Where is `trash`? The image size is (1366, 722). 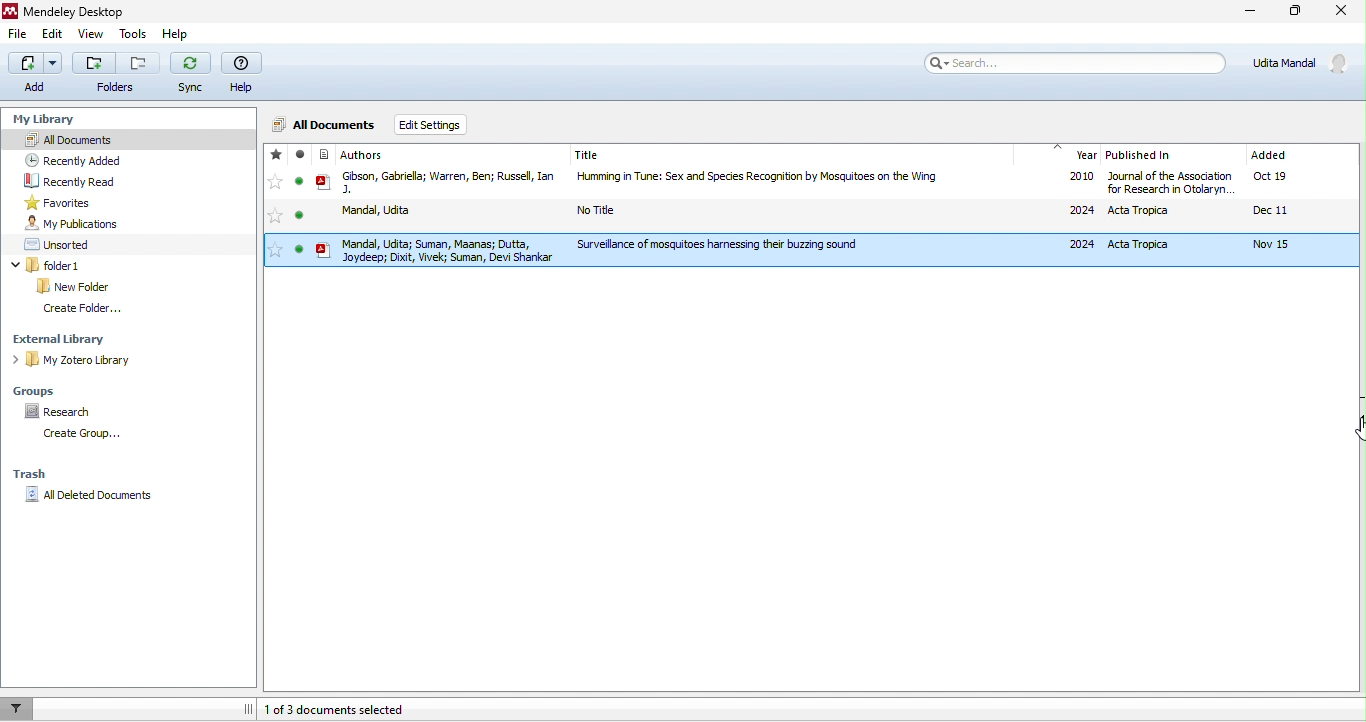
trash is located at coordinates (30, 473).